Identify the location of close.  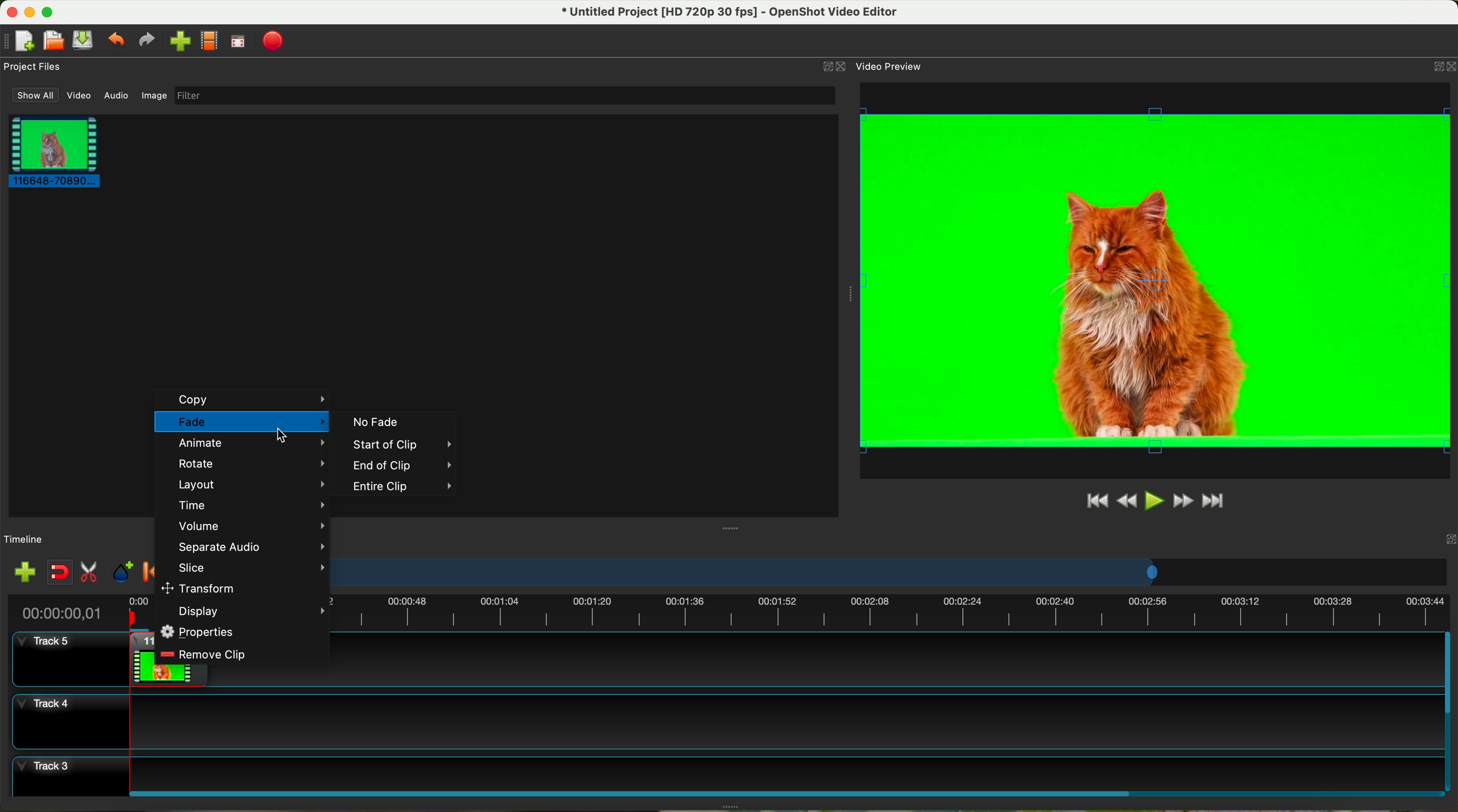
(835, 67).